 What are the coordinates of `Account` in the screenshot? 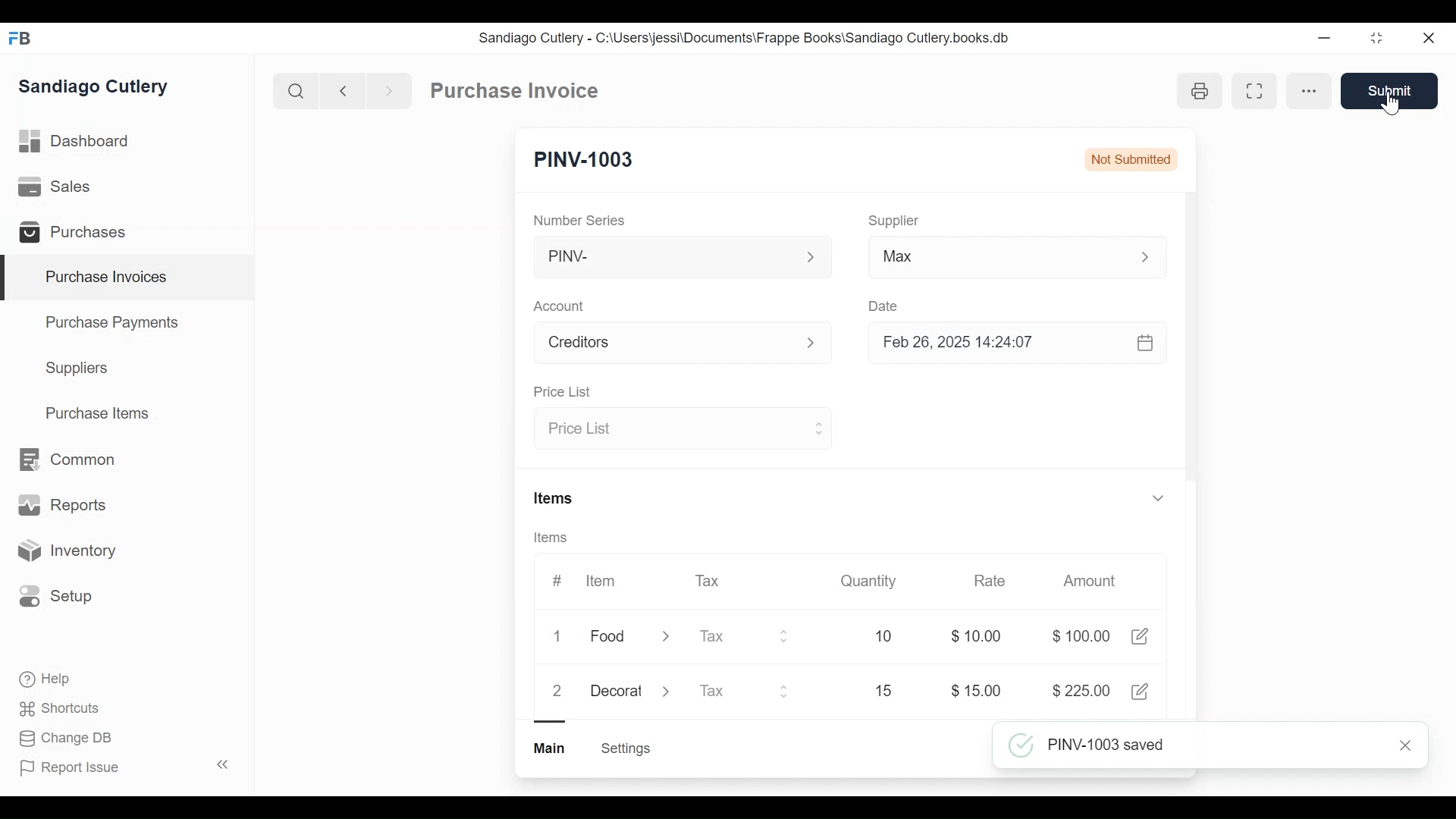 It's located at (562, 308).